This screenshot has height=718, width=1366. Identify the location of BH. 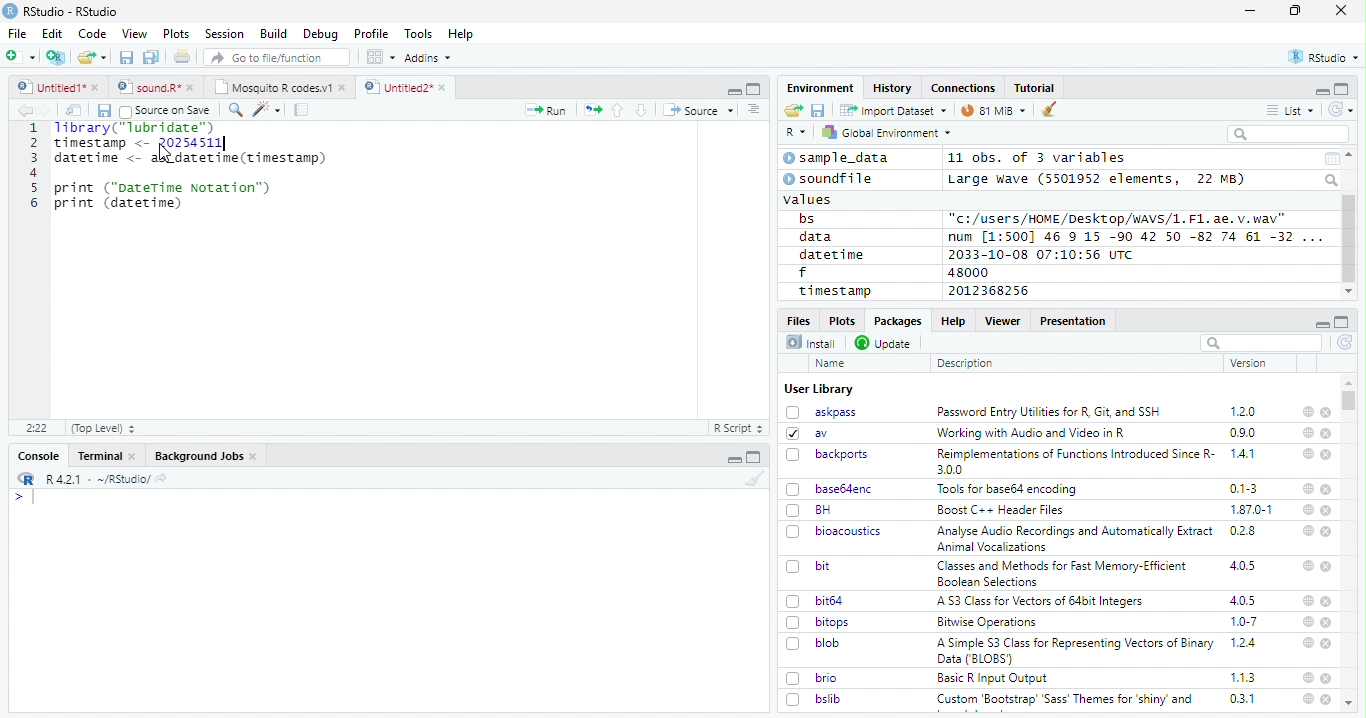
(811, 510).